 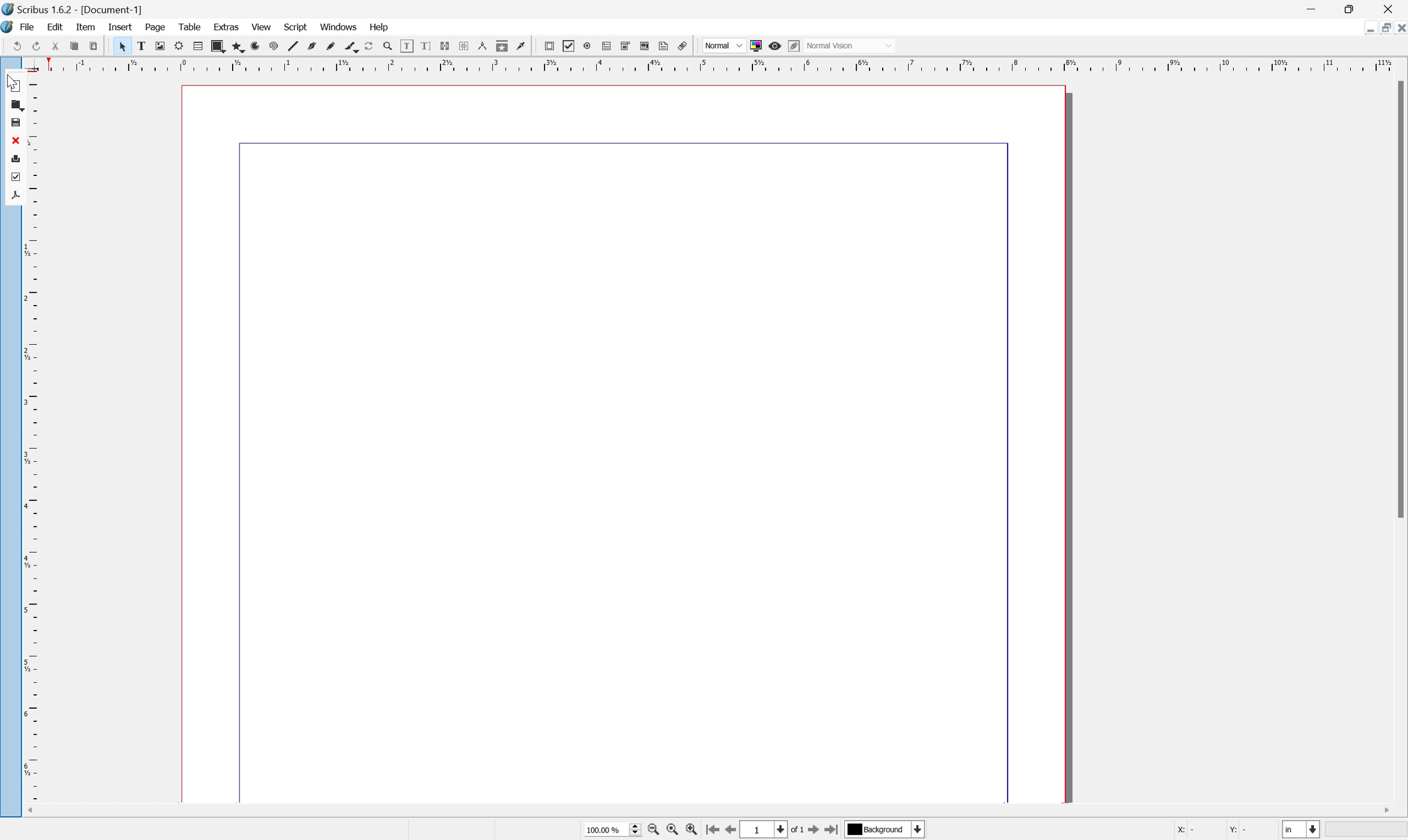 What do you see at coordinates (850, 46) in the screenshot?
I see `Normal` at bounding box center [850, 46].